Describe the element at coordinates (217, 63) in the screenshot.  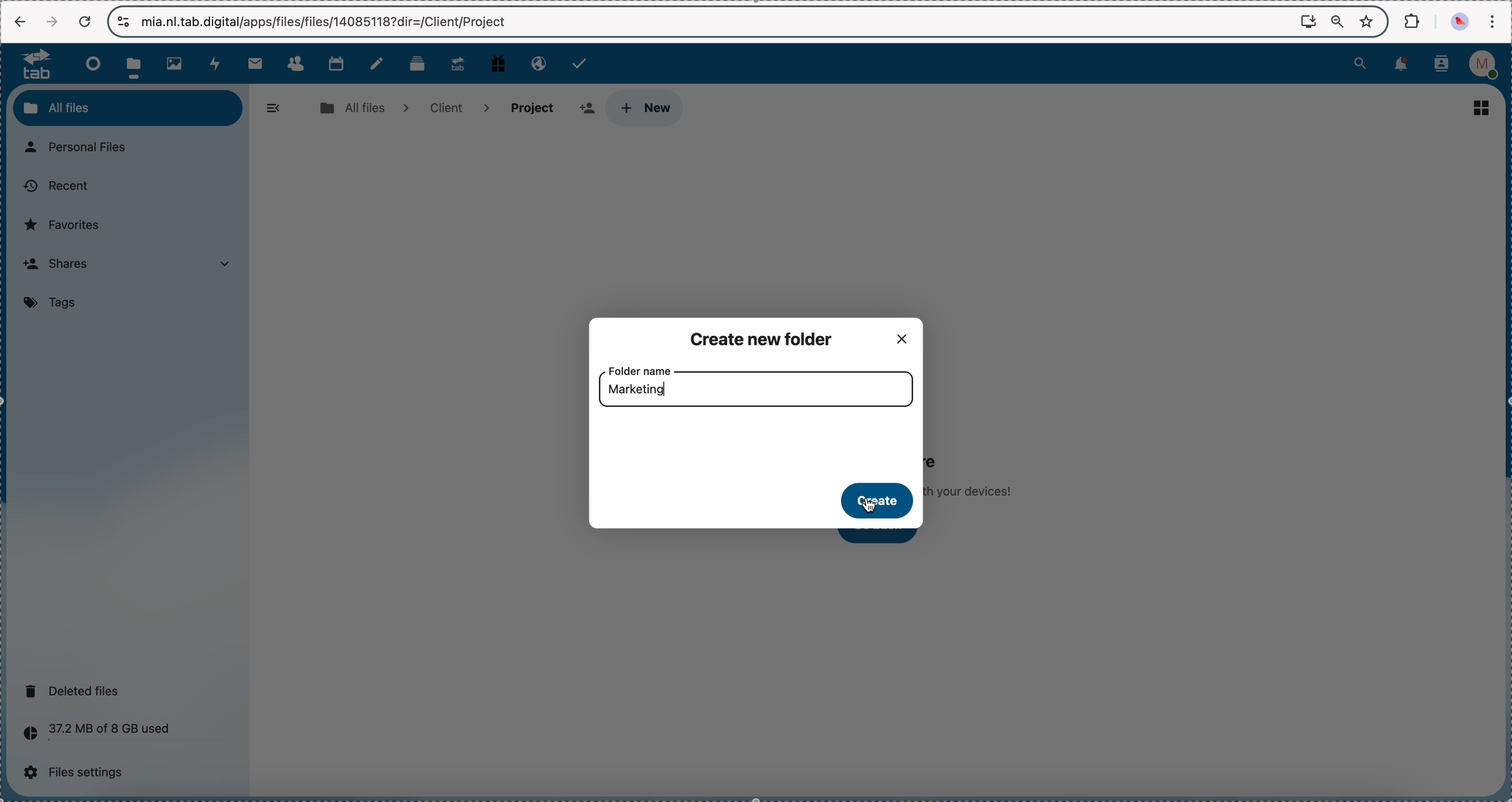
I see `activity` at that location.